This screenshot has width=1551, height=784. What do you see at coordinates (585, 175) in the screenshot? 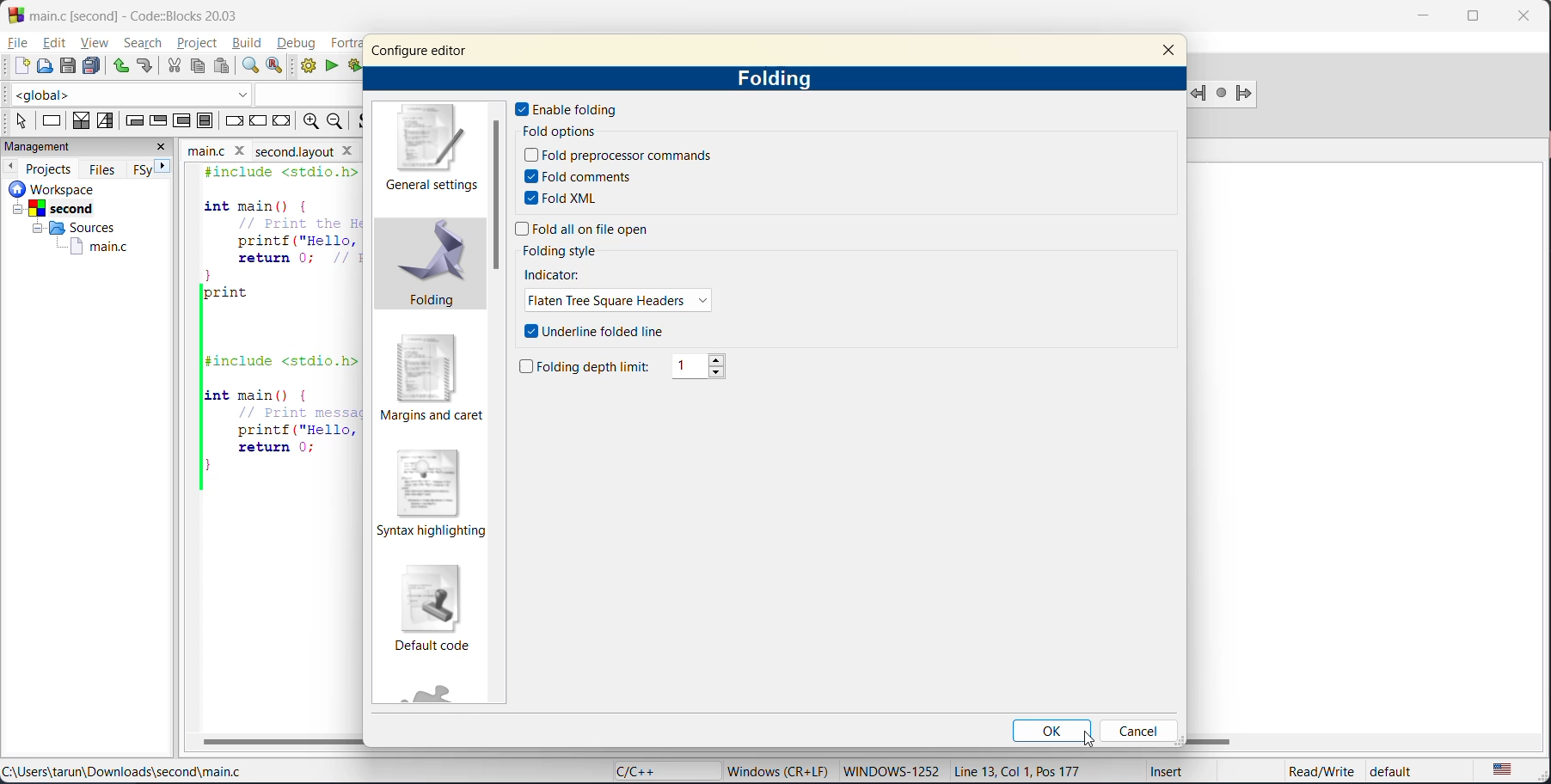
I see `fold comments` at bounding box center [585, 175].